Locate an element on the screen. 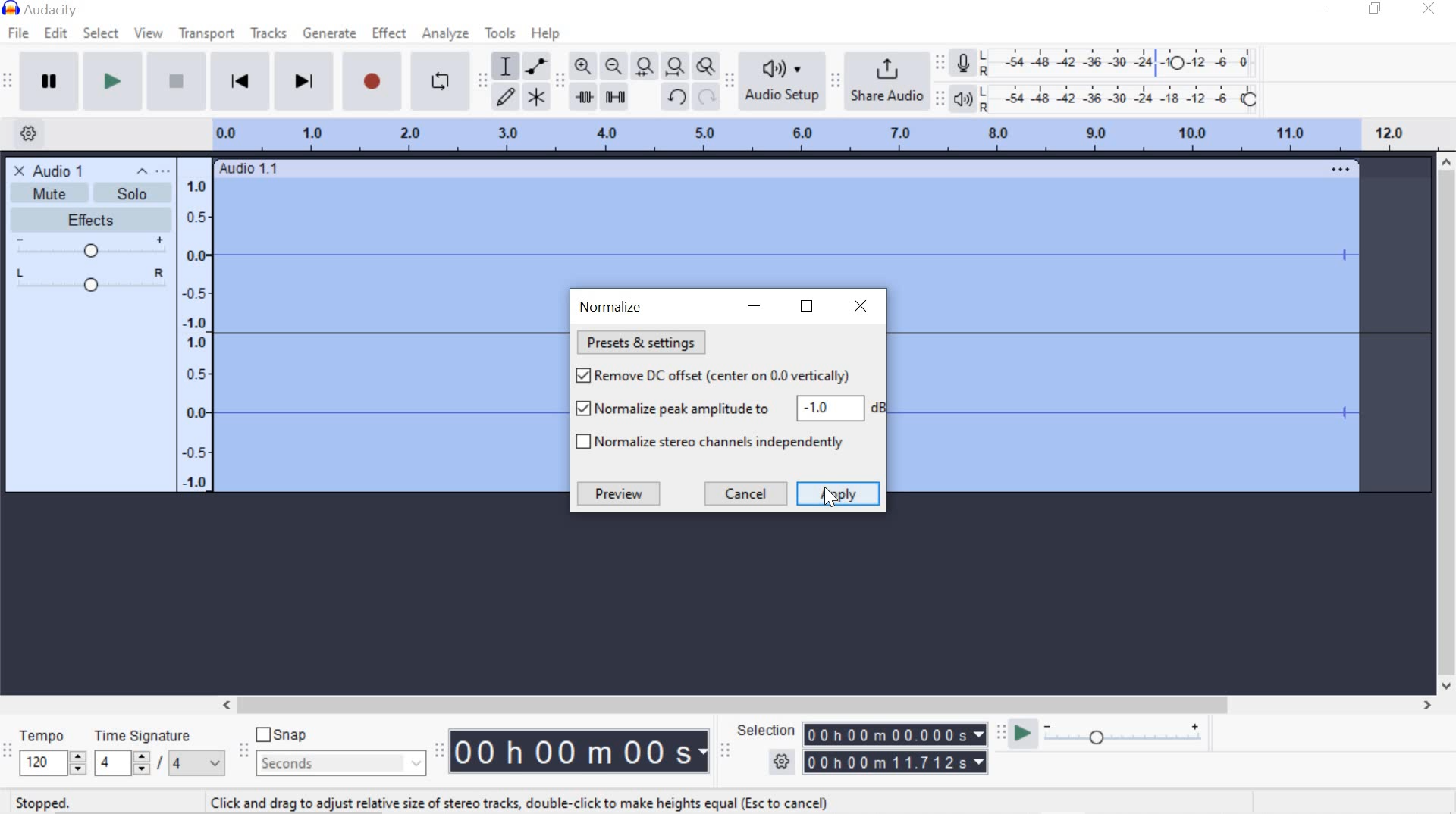 The image size is (1456, 814). restore down is located at coordinates (1378, 9).